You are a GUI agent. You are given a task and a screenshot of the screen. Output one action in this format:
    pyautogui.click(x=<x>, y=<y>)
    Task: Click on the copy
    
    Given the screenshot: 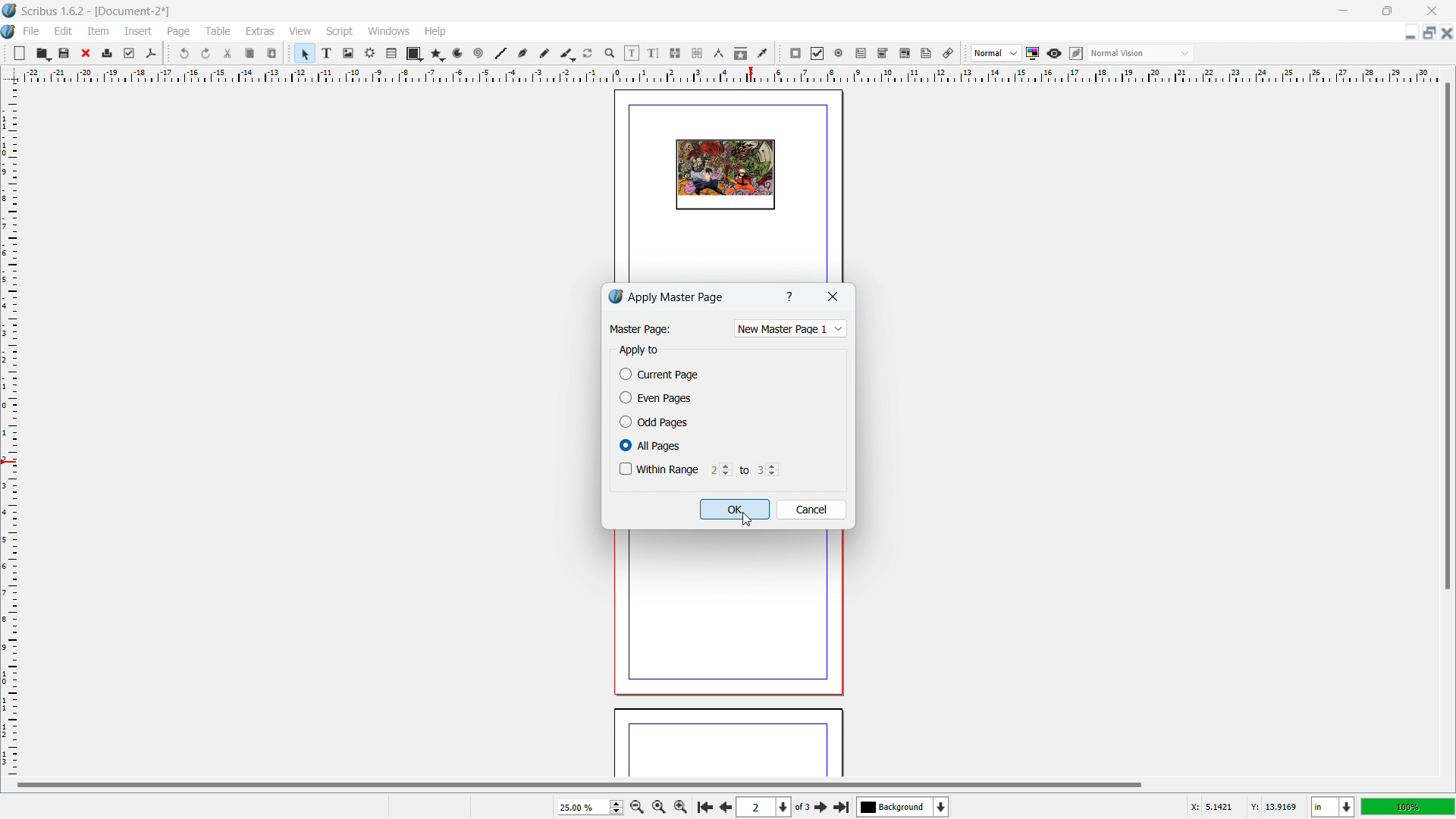 What is the action you would take?
    pyautogui.click(x=251, y=53)
    